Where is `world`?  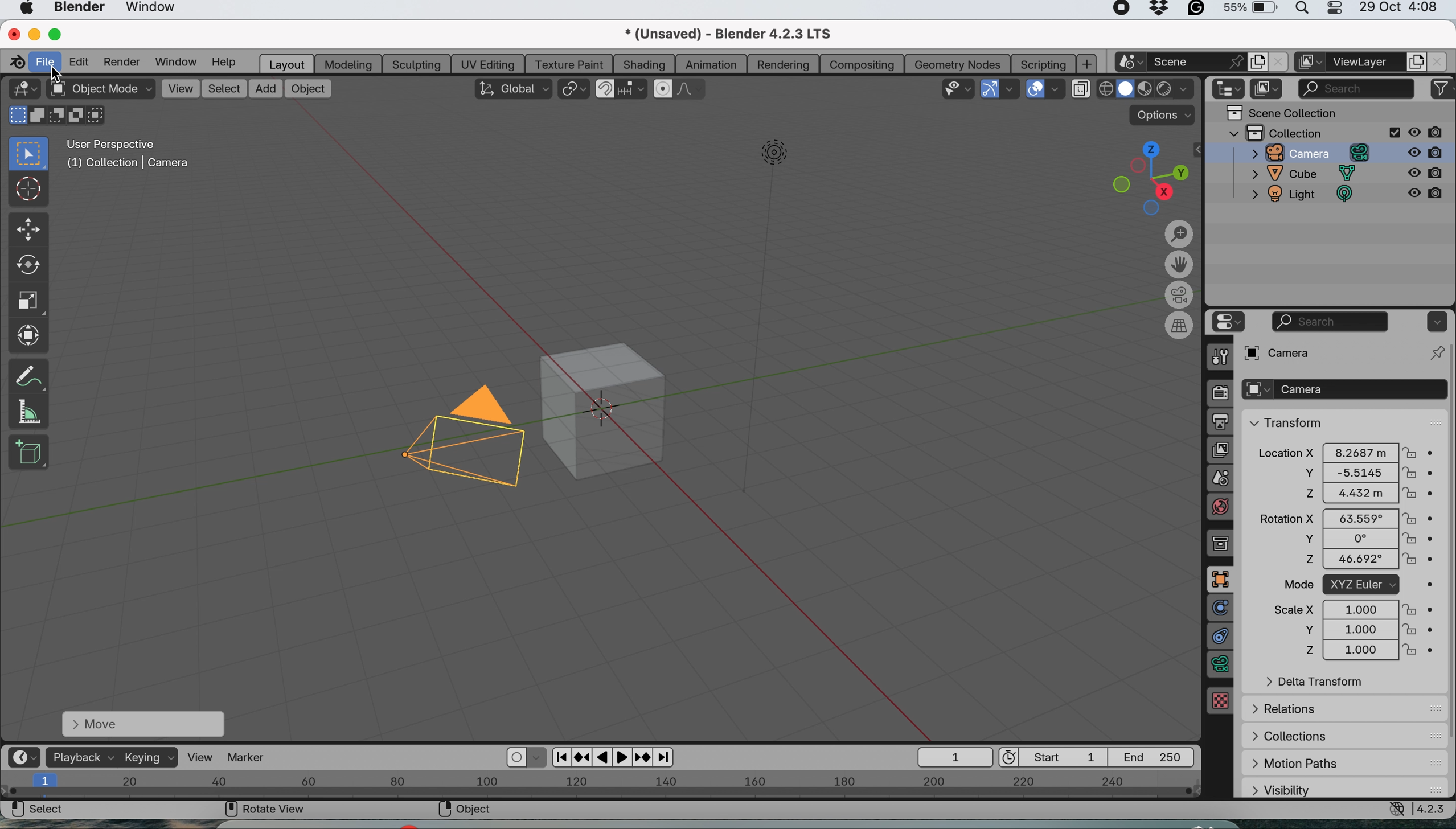 world is located at coordinates (1222, 505).